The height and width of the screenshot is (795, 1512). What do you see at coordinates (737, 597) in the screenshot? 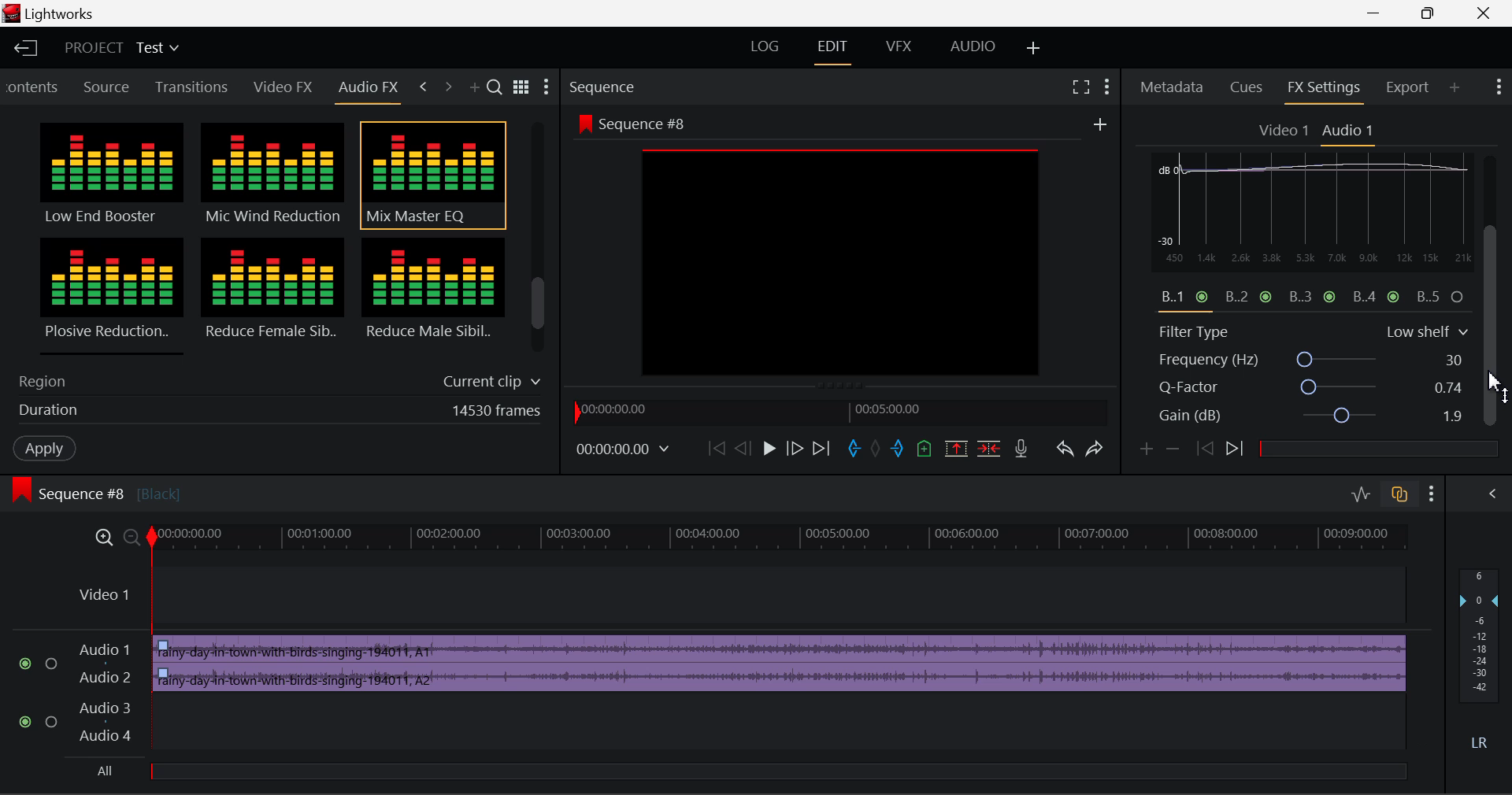
I see `Video Layer` at bounding box center [737, 597].